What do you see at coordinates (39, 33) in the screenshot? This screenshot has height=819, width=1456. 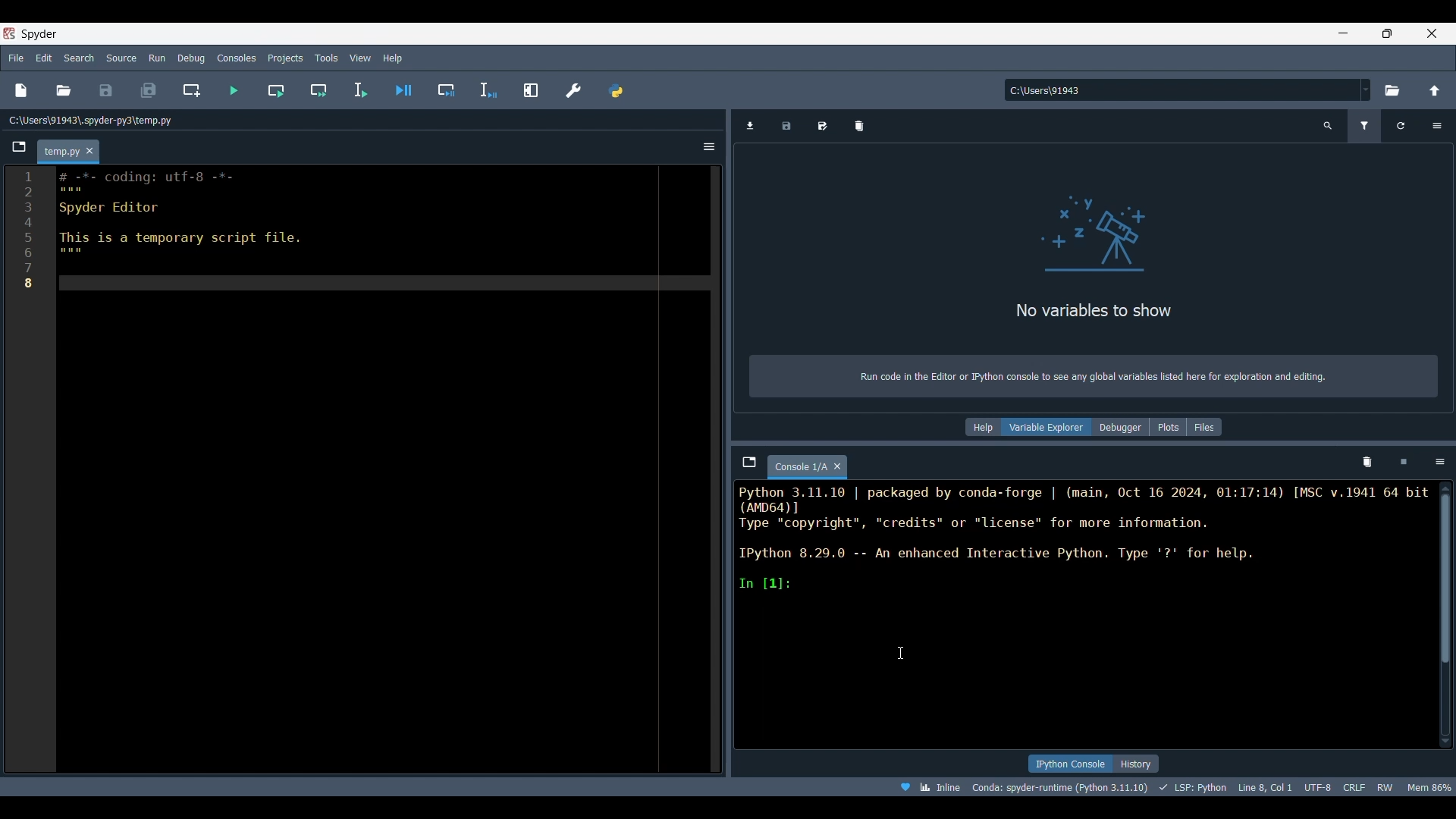 I see `Software name` at bounding box center [39, 33].